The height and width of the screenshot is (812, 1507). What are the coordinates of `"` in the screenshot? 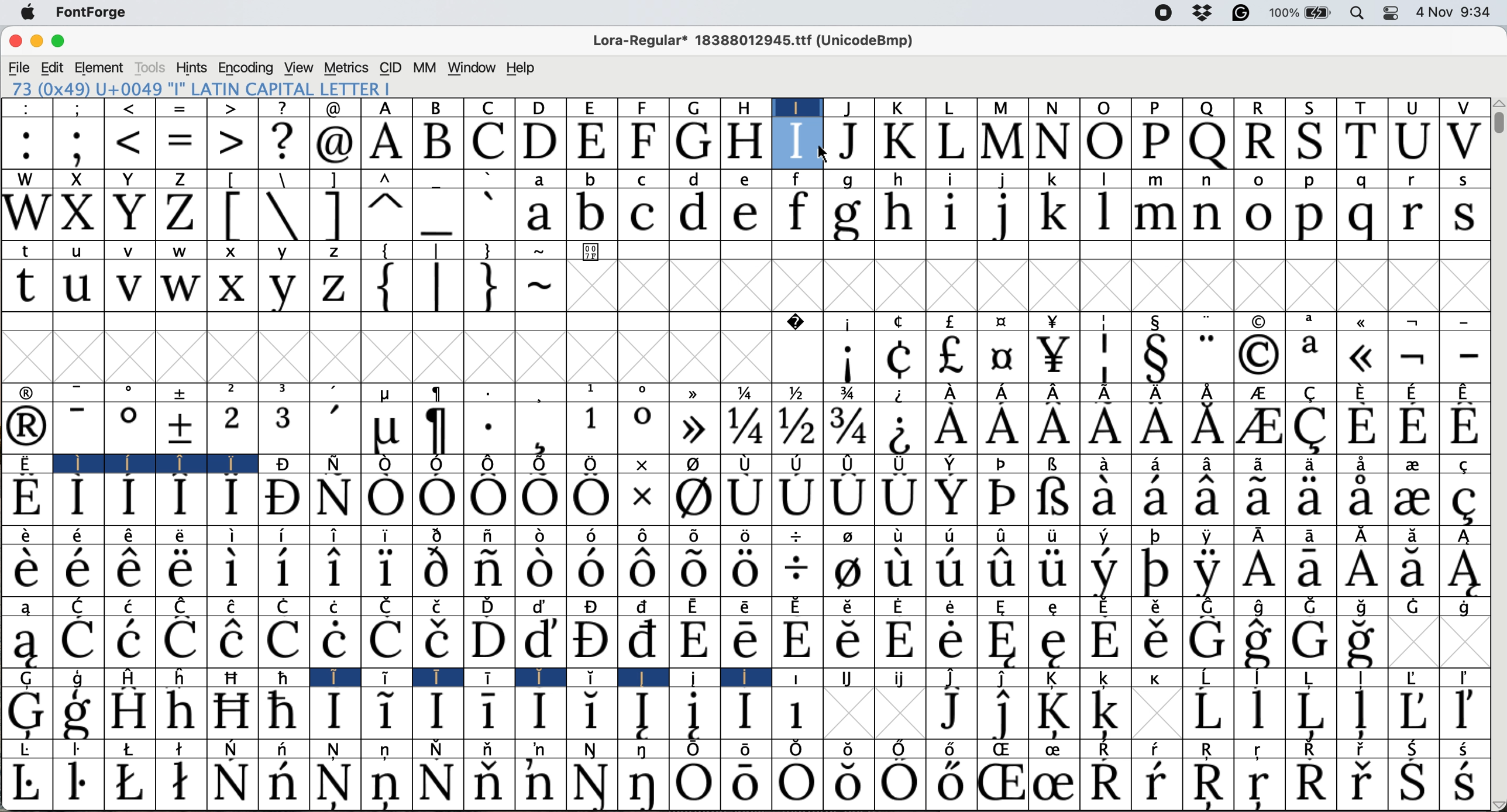 It's located at (1210, 320).